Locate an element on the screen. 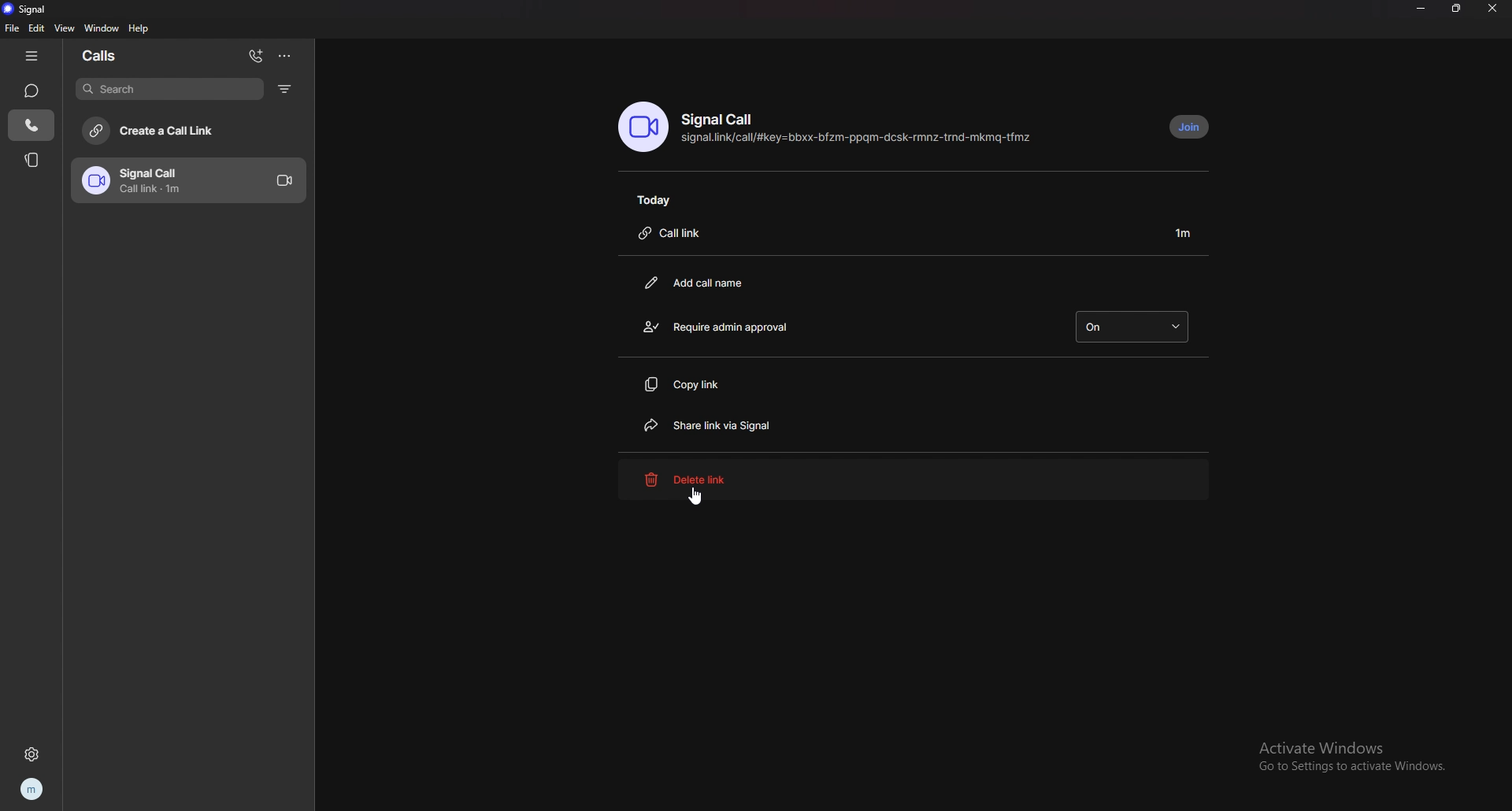  resize is located at coordinates (1458, 8).